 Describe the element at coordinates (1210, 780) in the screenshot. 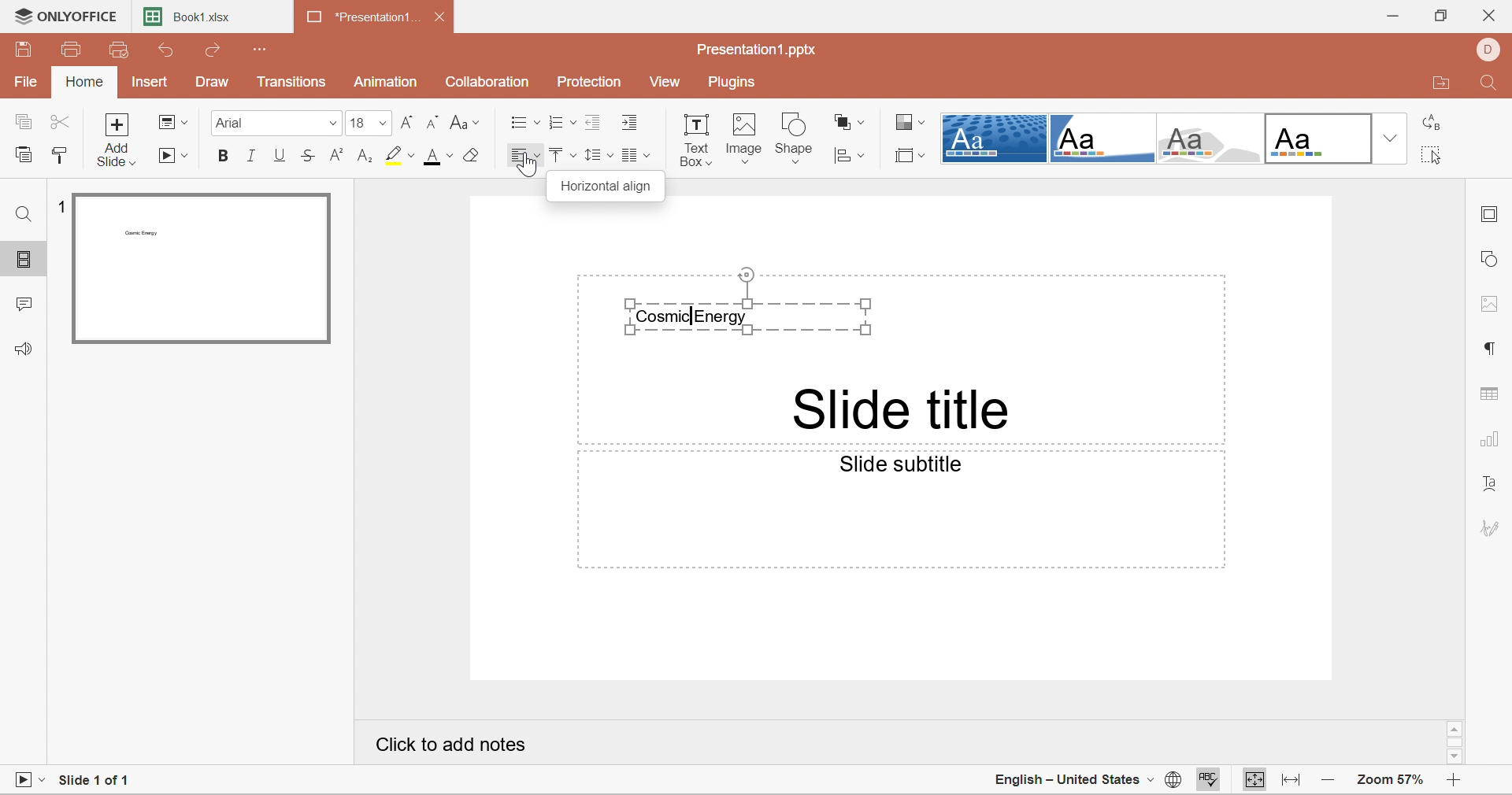

I see `Check spelling` at that location.